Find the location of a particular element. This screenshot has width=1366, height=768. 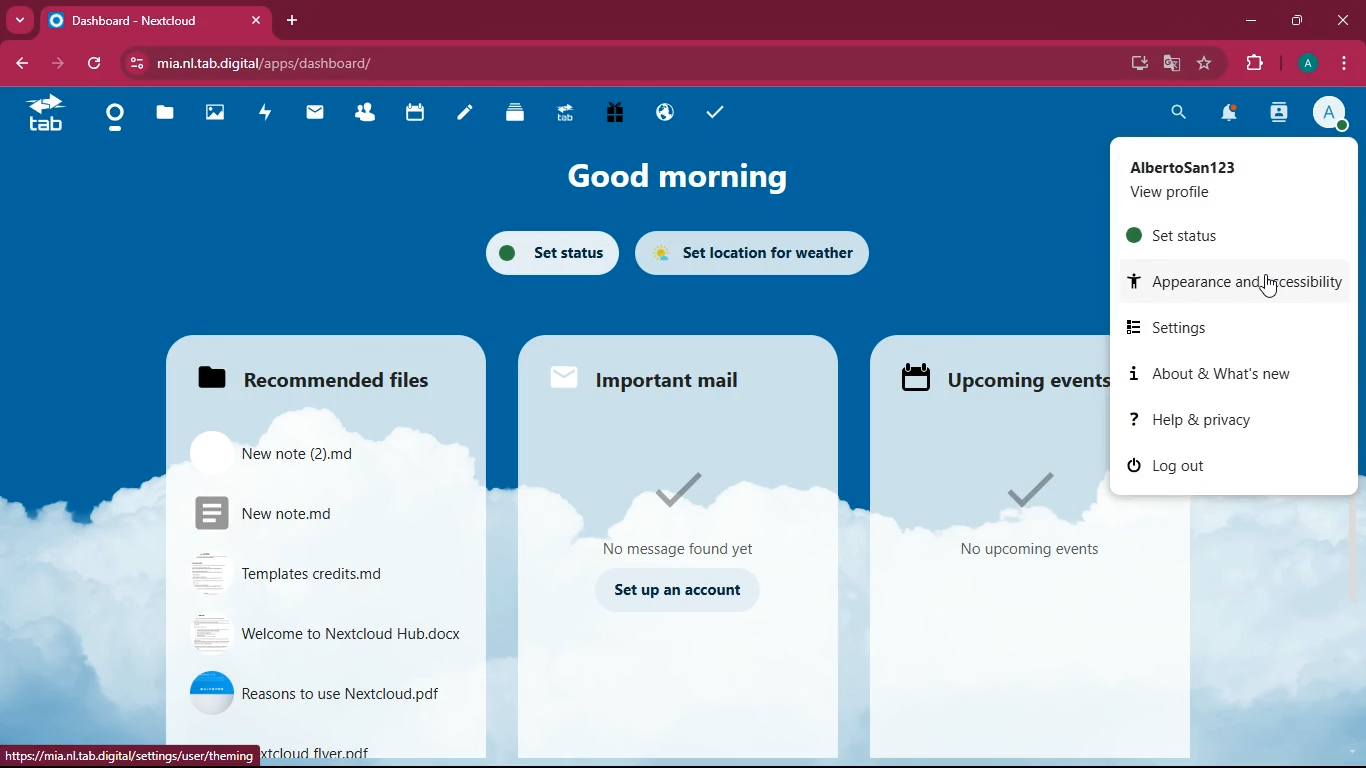

menu is located at coordinates (1345, 64).